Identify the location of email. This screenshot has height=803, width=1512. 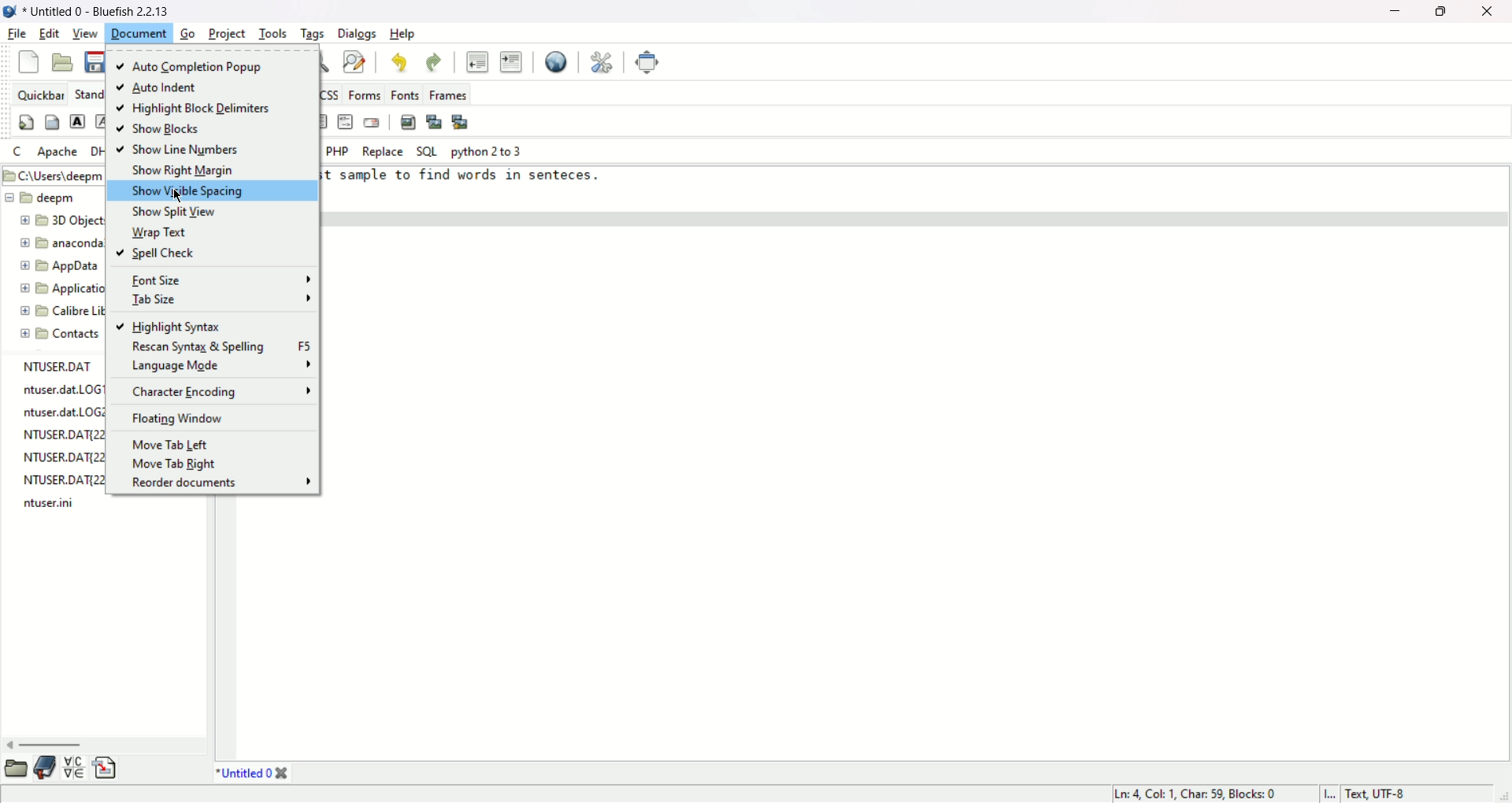
(372, 122).